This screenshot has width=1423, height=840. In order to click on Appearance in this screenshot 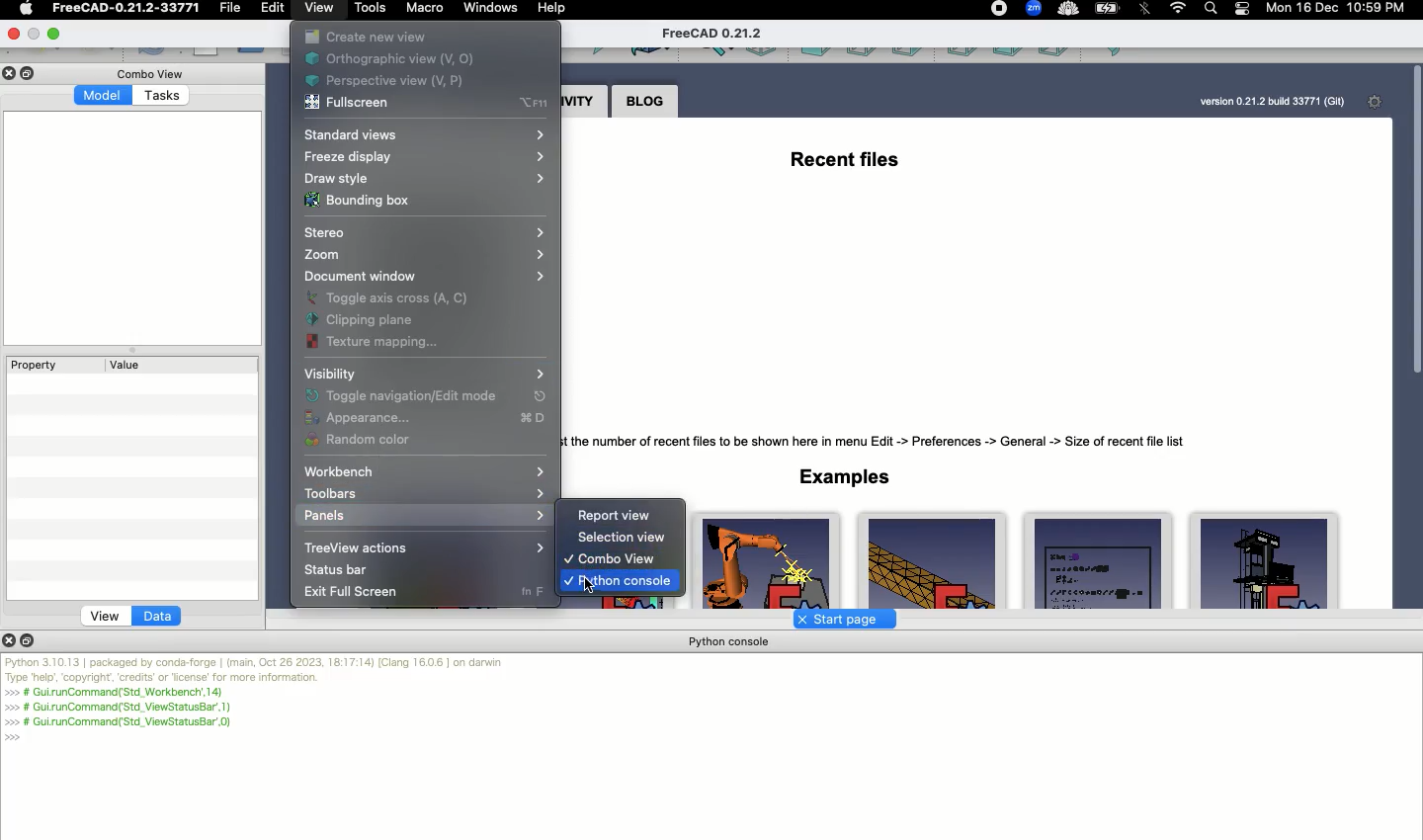, I will do `click(423, 419)`.